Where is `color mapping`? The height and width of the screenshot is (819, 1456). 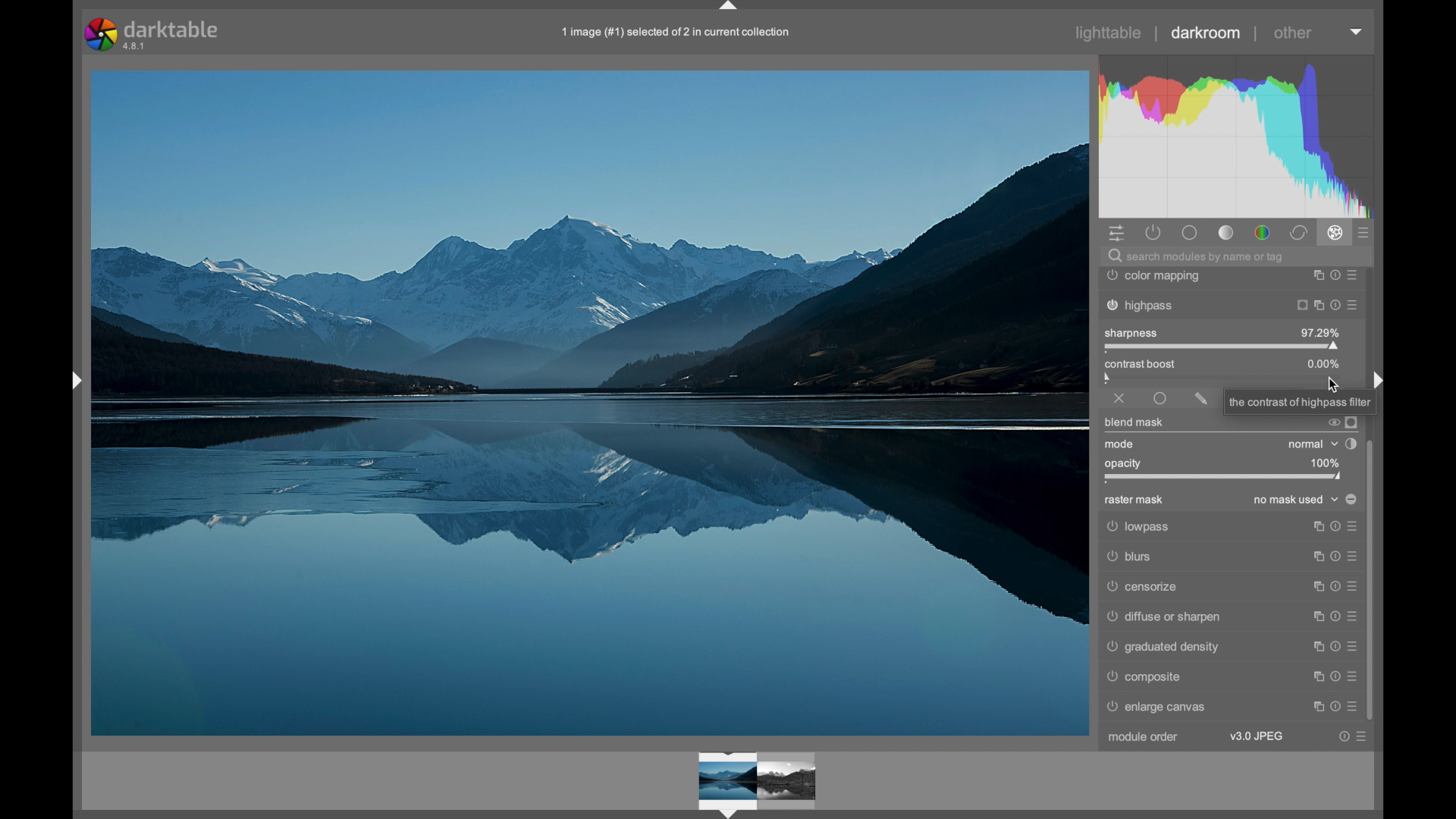
color mapping is located at coordinates (1232, 277).